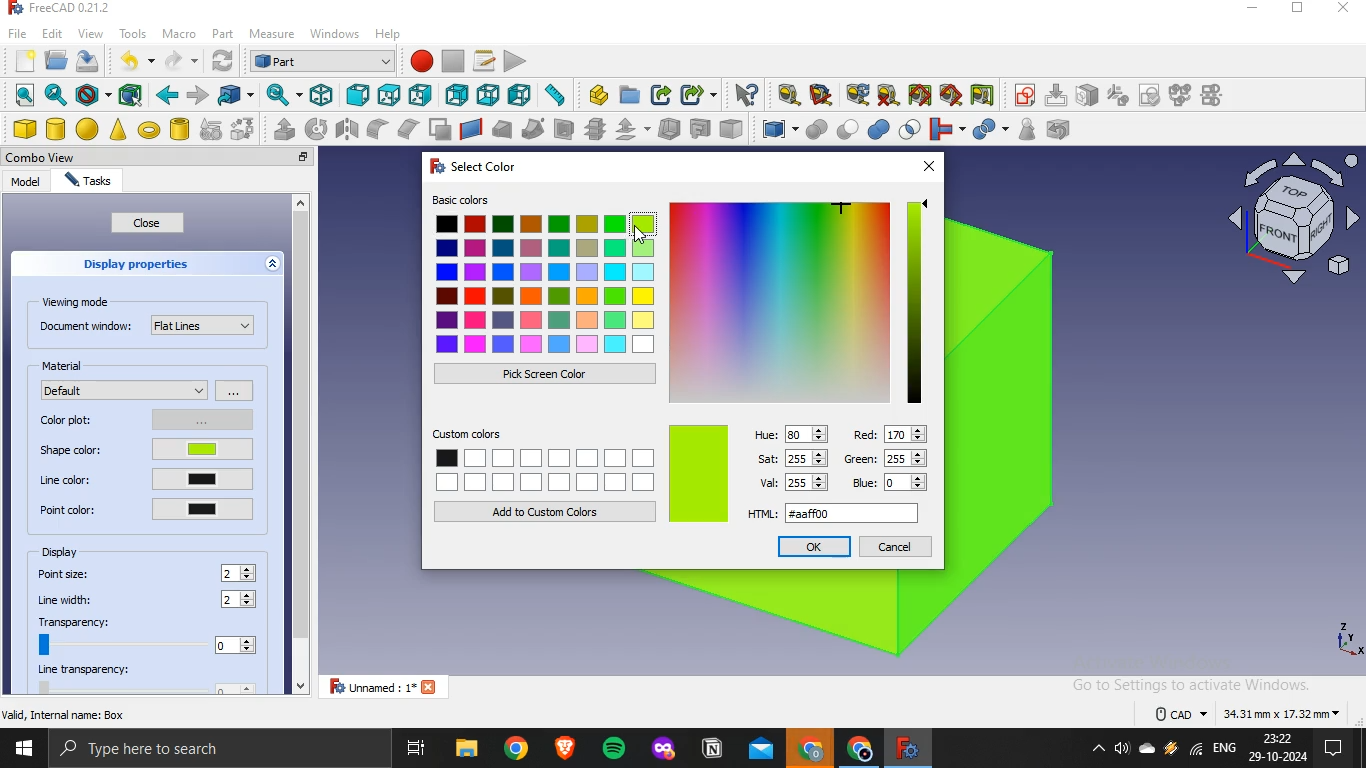 The image size is (1366, 768). I want to click on task view, so click(418, 749).